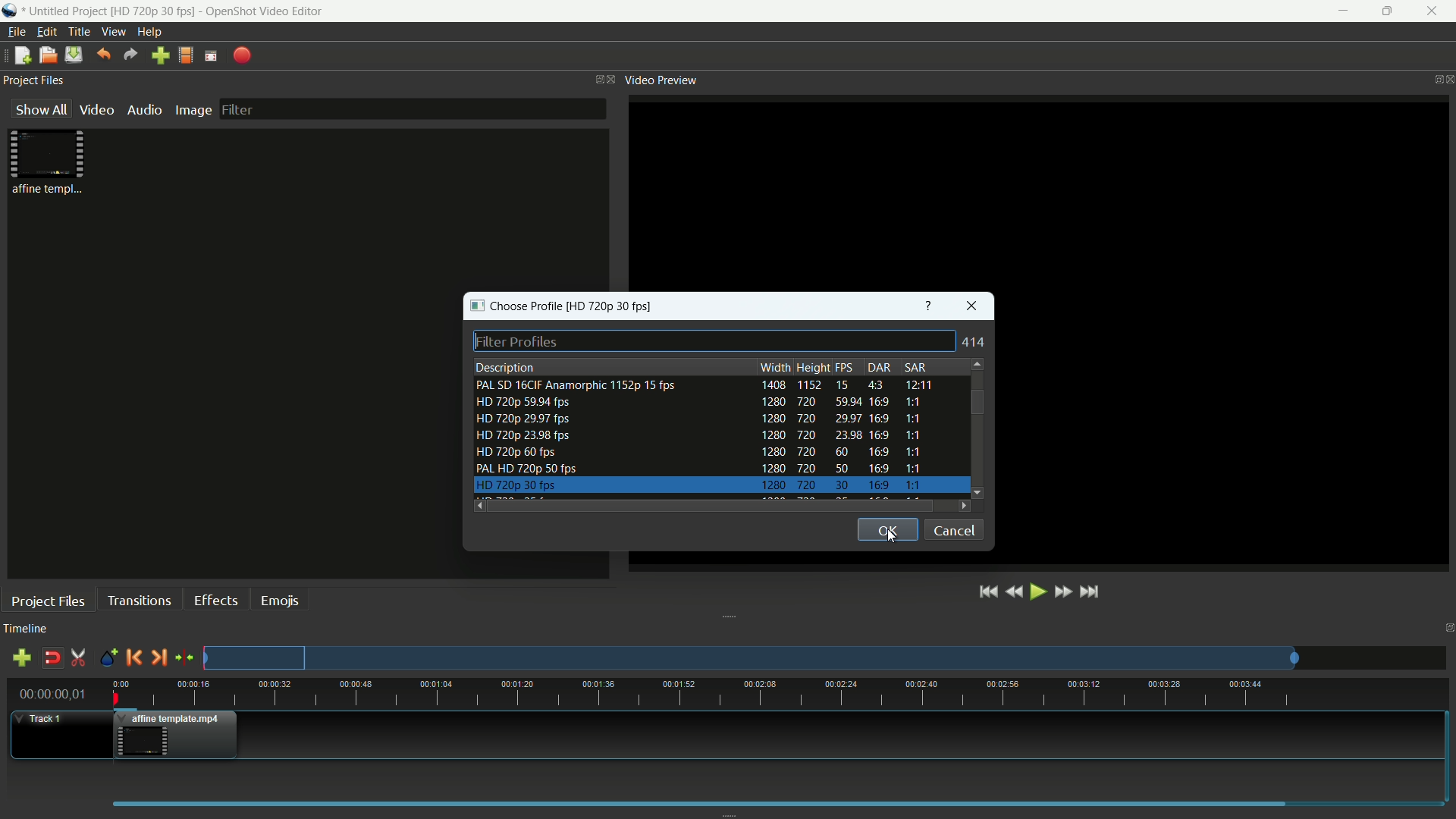 This screenshot has width=1456, height=819. Describe the element at coordinates (413, 109) in the screenshot. I see `filter bar` at that location.